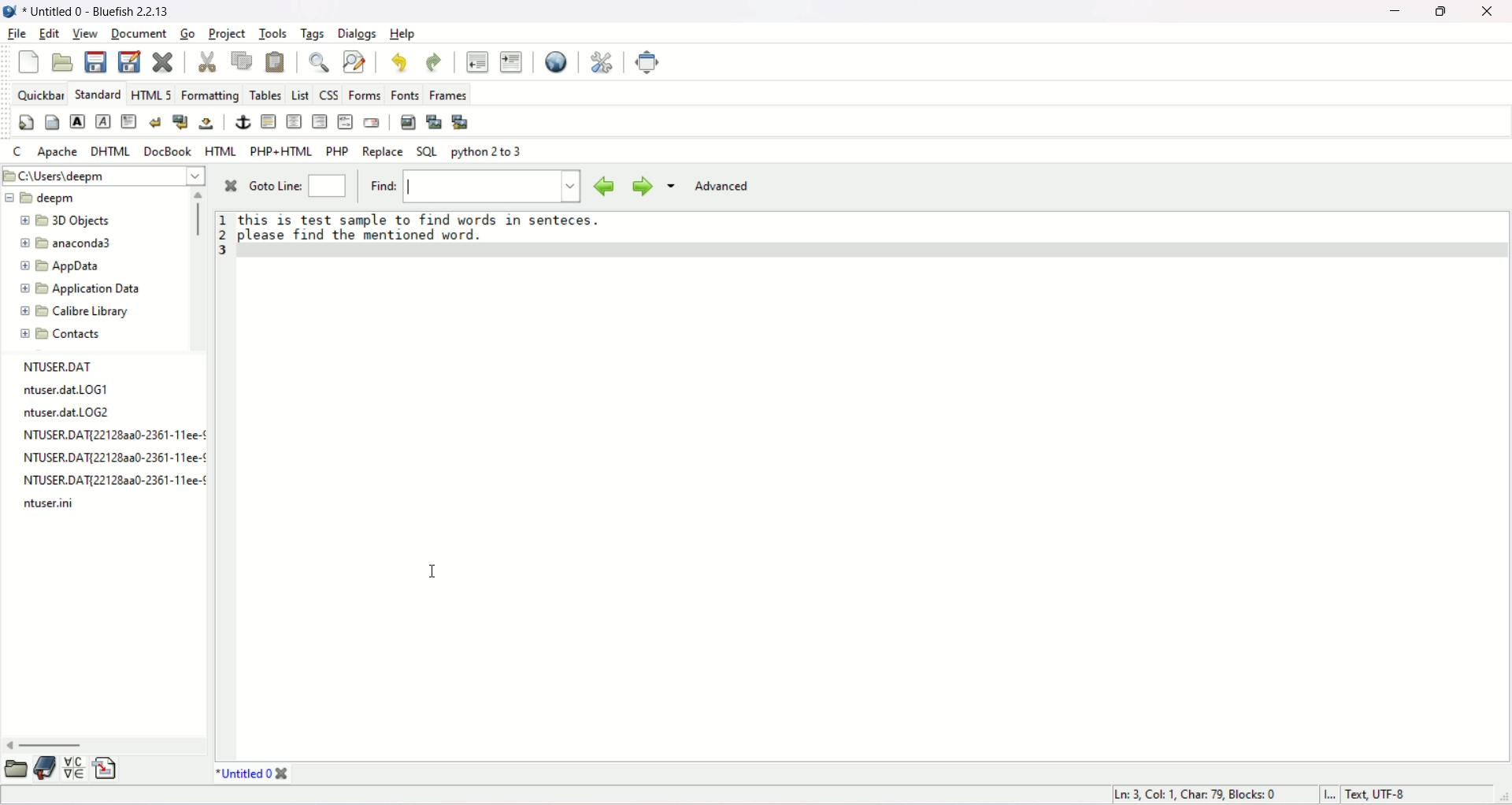  Describe the element at coordinates (76, 122) in the screenshot. I see `strong` at that location.